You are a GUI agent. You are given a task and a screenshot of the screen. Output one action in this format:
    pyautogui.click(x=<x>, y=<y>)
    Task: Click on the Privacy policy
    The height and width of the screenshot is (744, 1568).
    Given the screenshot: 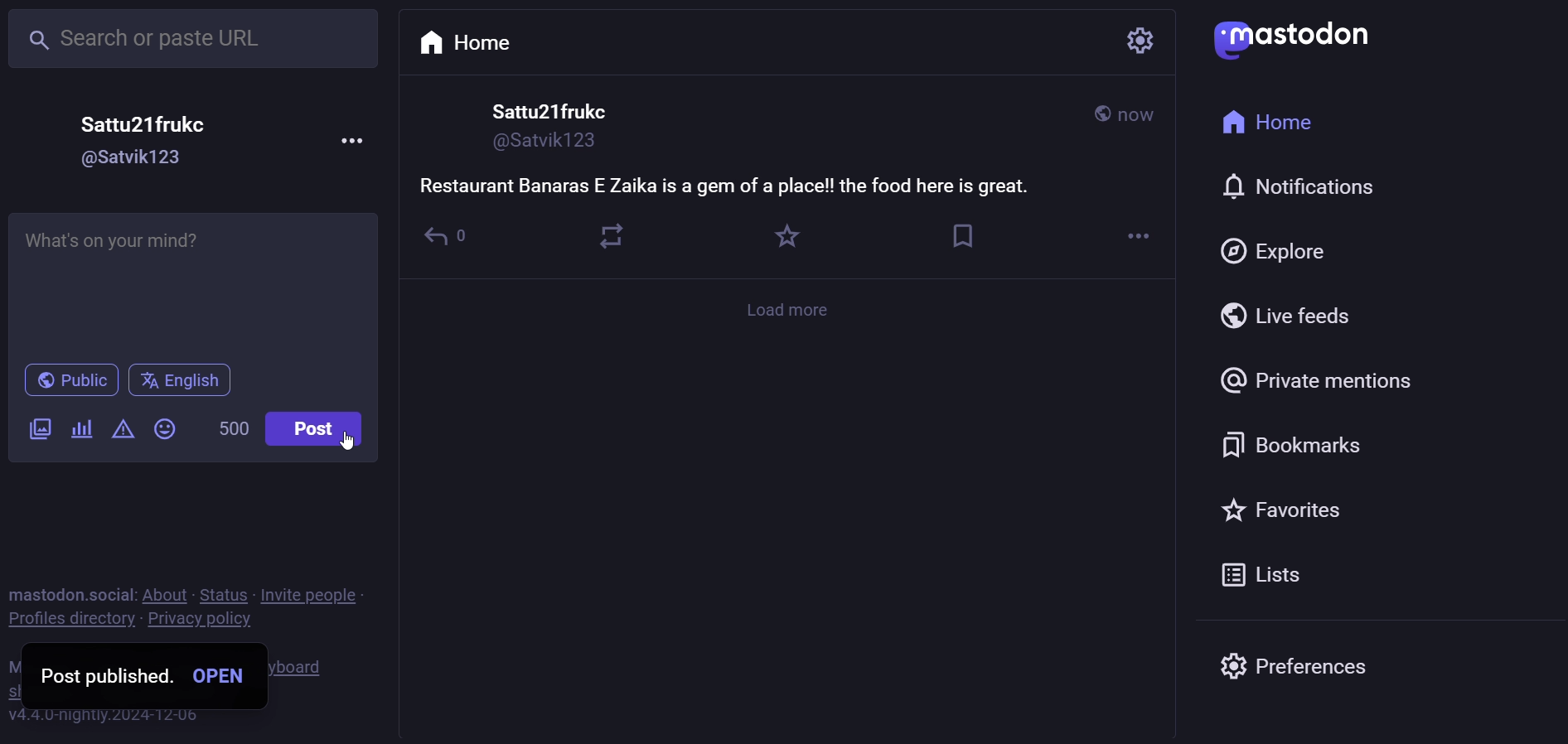 What is the action you would take?
    pyautogui.click(x=201, y=619)
    